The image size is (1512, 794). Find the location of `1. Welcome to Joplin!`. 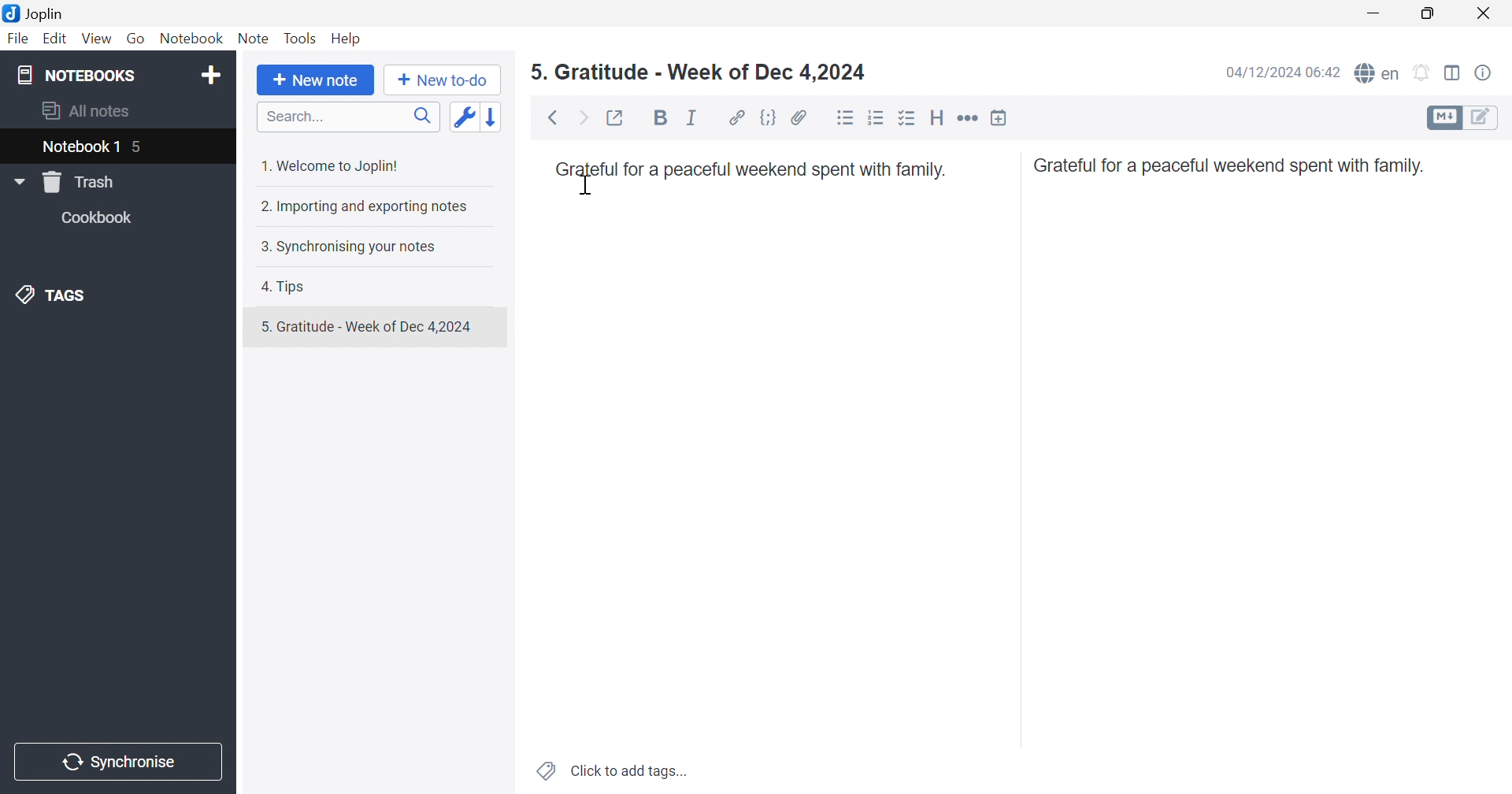

1. Welcome to Joplin! is located at coordinates (332, 164).